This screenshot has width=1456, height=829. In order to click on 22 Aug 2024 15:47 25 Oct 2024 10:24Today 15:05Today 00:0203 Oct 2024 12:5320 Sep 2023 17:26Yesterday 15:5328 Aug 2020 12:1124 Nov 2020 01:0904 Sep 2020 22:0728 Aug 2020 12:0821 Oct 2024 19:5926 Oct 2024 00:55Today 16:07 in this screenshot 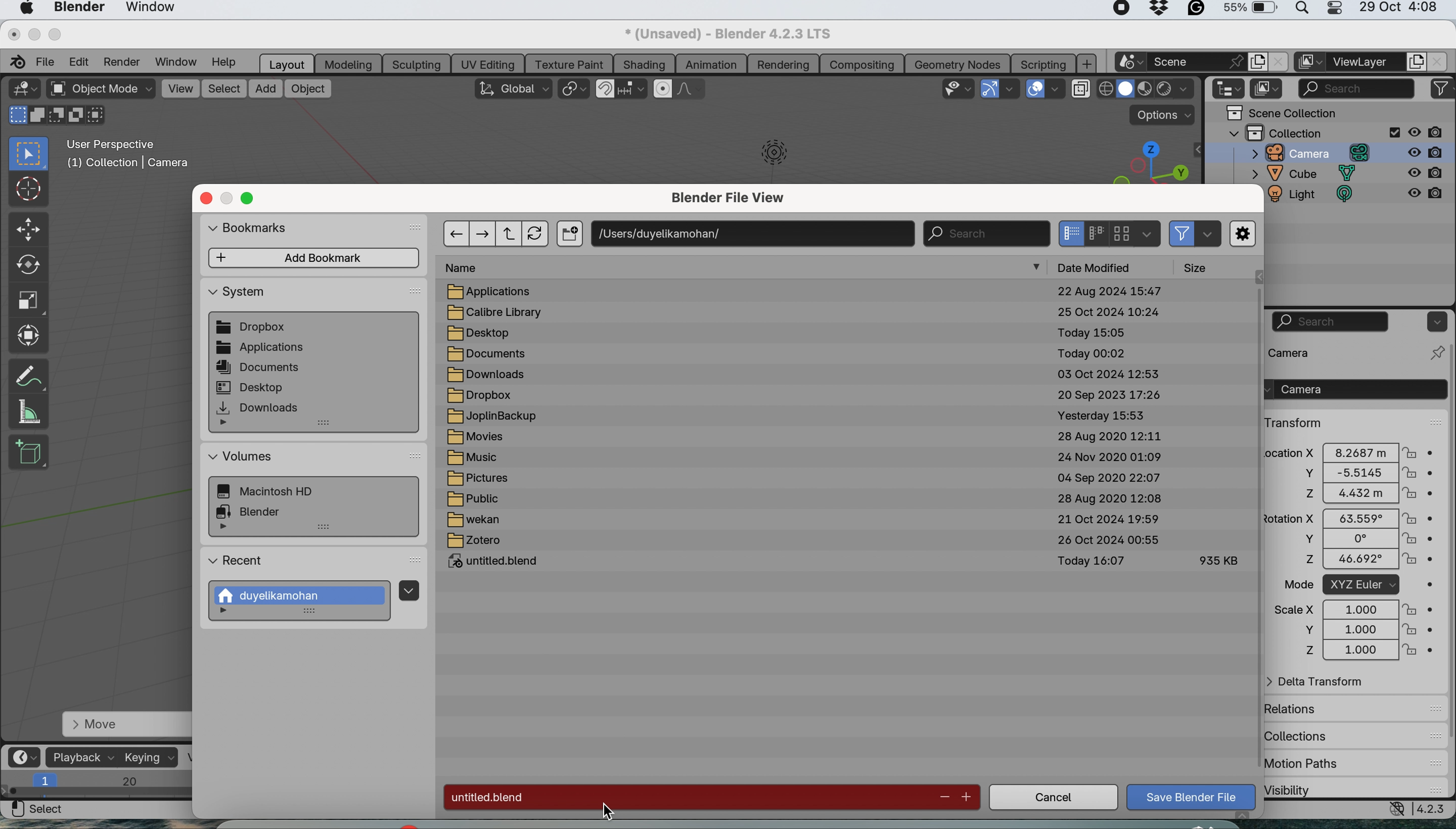, I will do `click(1110, 431)`.